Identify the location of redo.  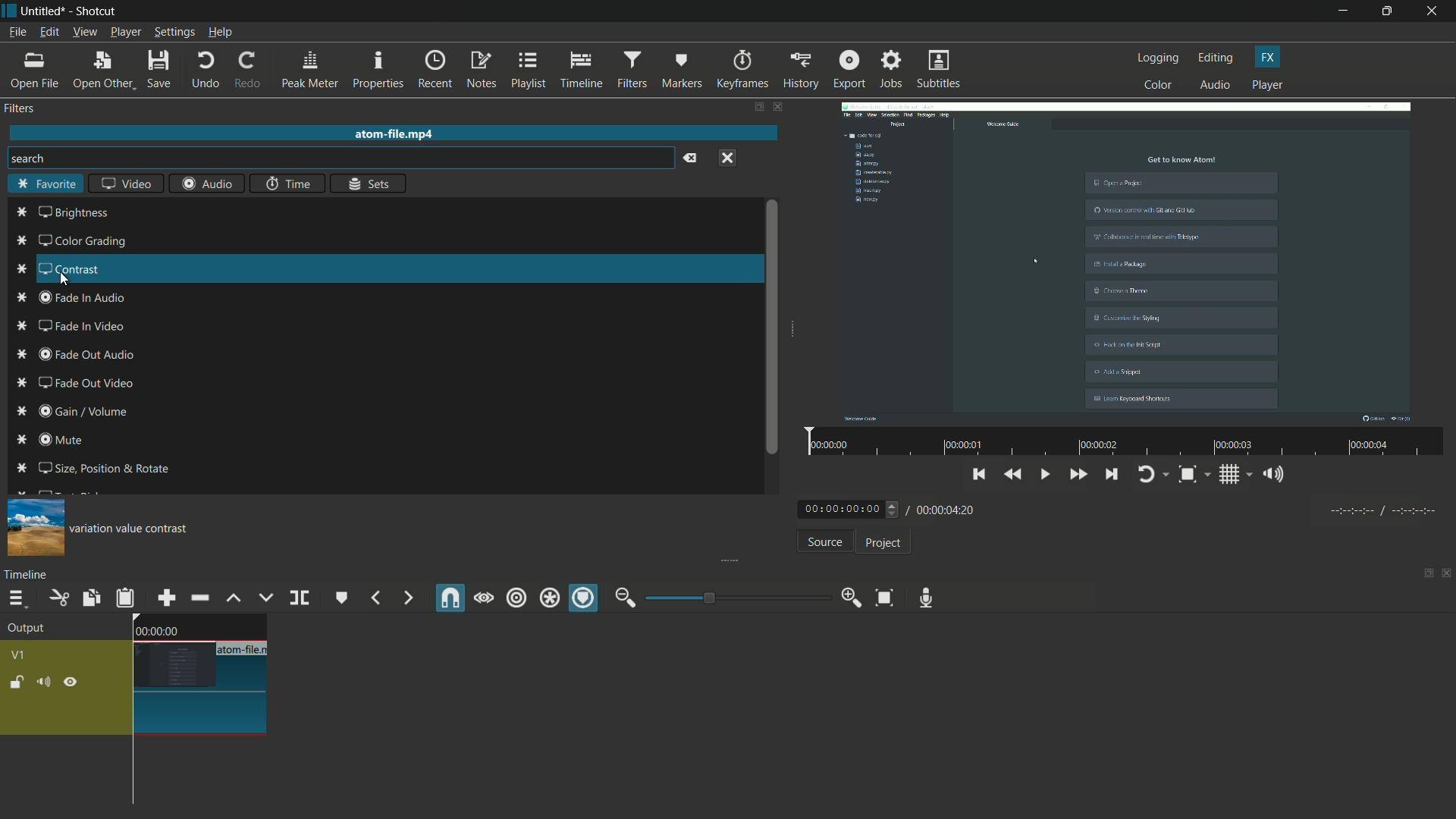
(246, 70).